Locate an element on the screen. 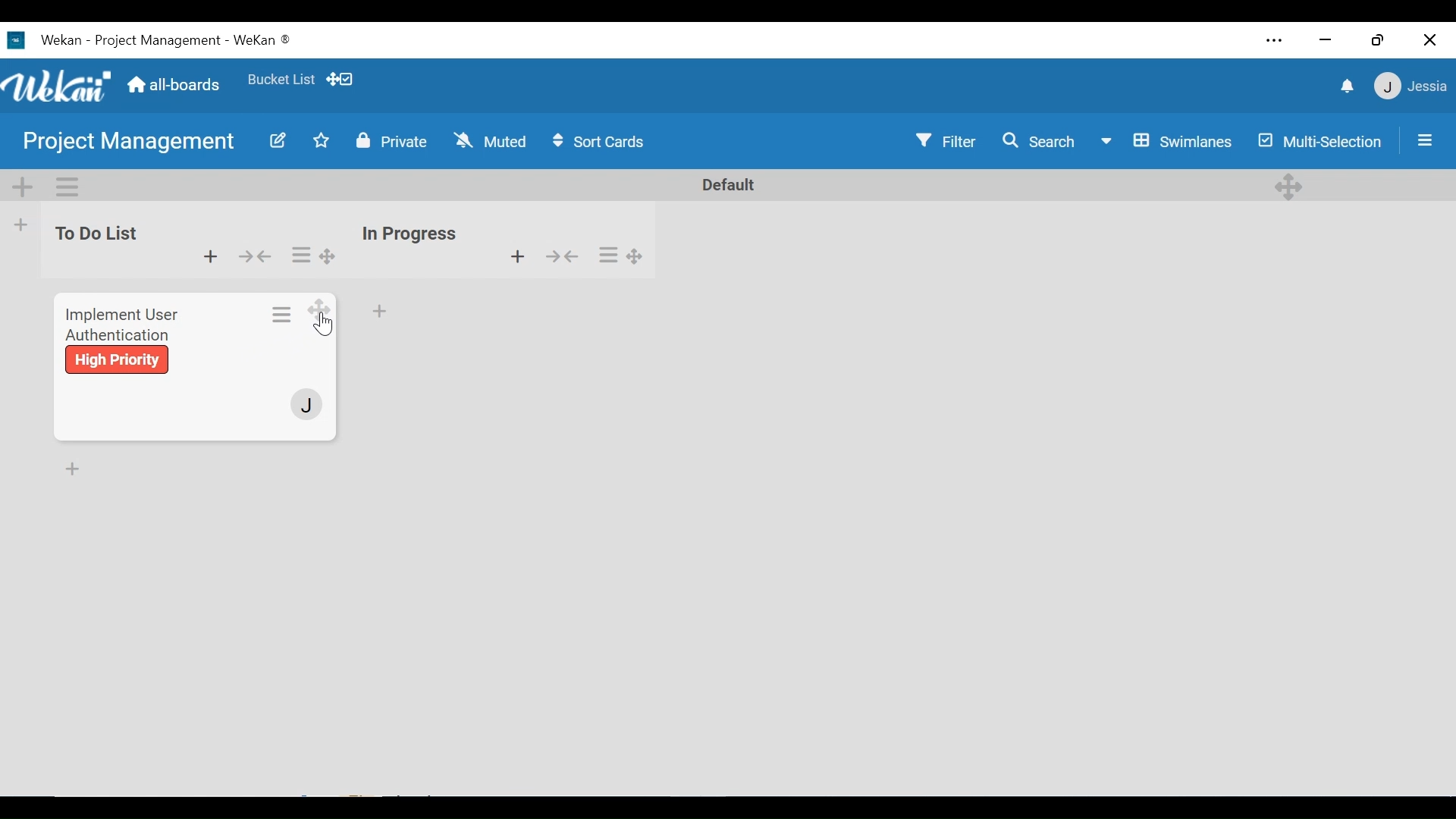 Image resolution: width=1456 pixels, height=819 pixels. open/close side pane is located at coordinates (1423, 140).